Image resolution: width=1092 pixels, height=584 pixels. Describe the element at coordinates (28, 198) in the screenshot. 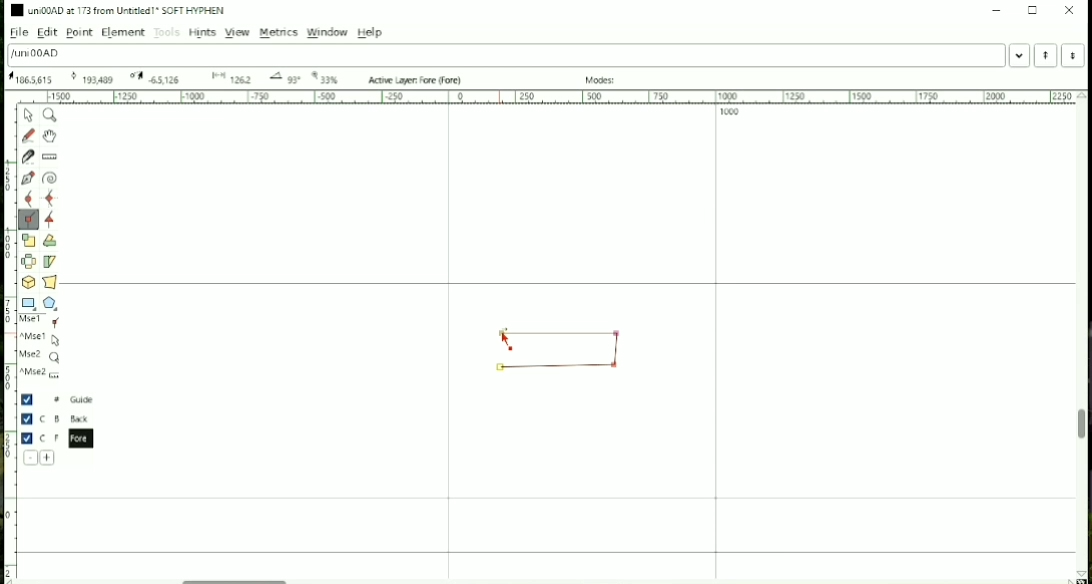

I see `Add a curve point` at that location.